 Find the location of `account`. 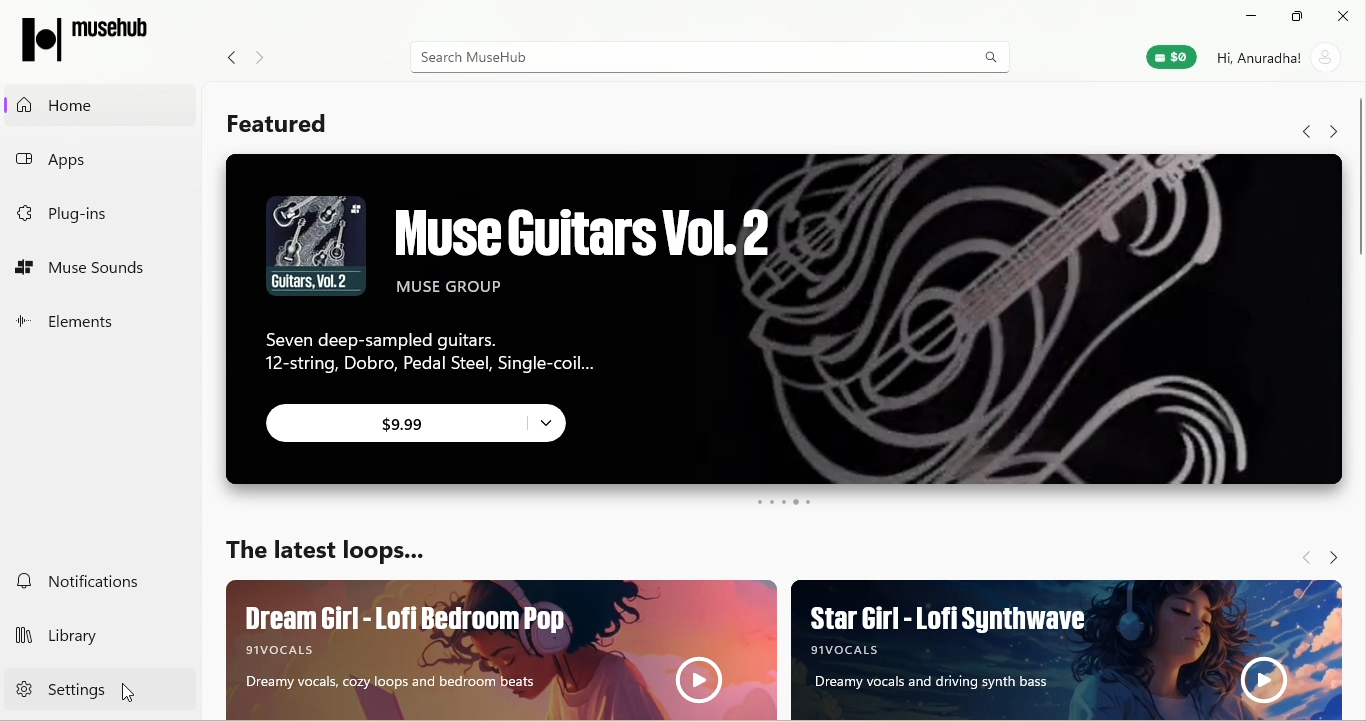

account is located at coordinates (1283, 56).